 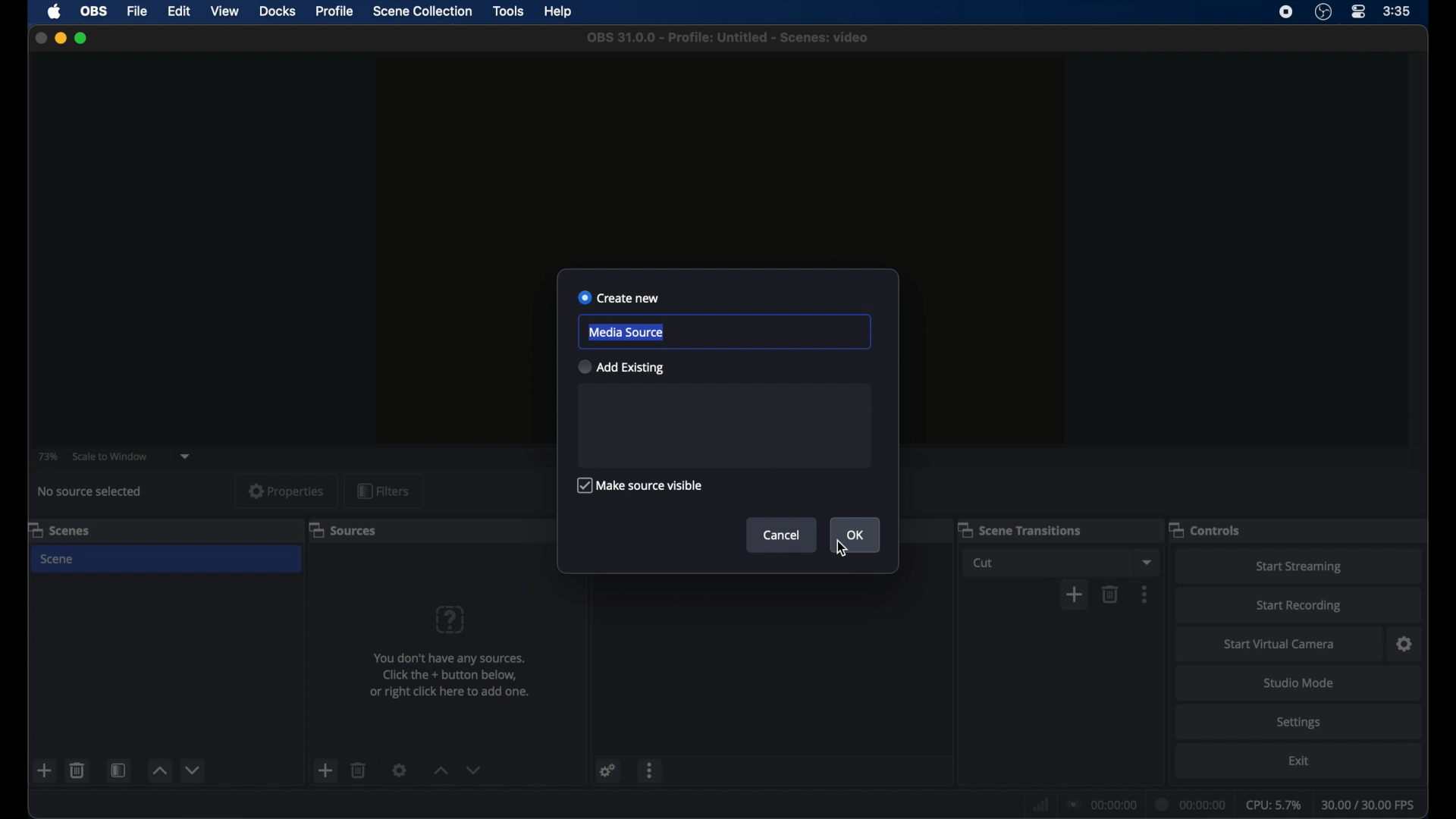 What do you see at coordinates (651, 770) in the screenshot?
I see `more options` at bounding box center [651, 770].